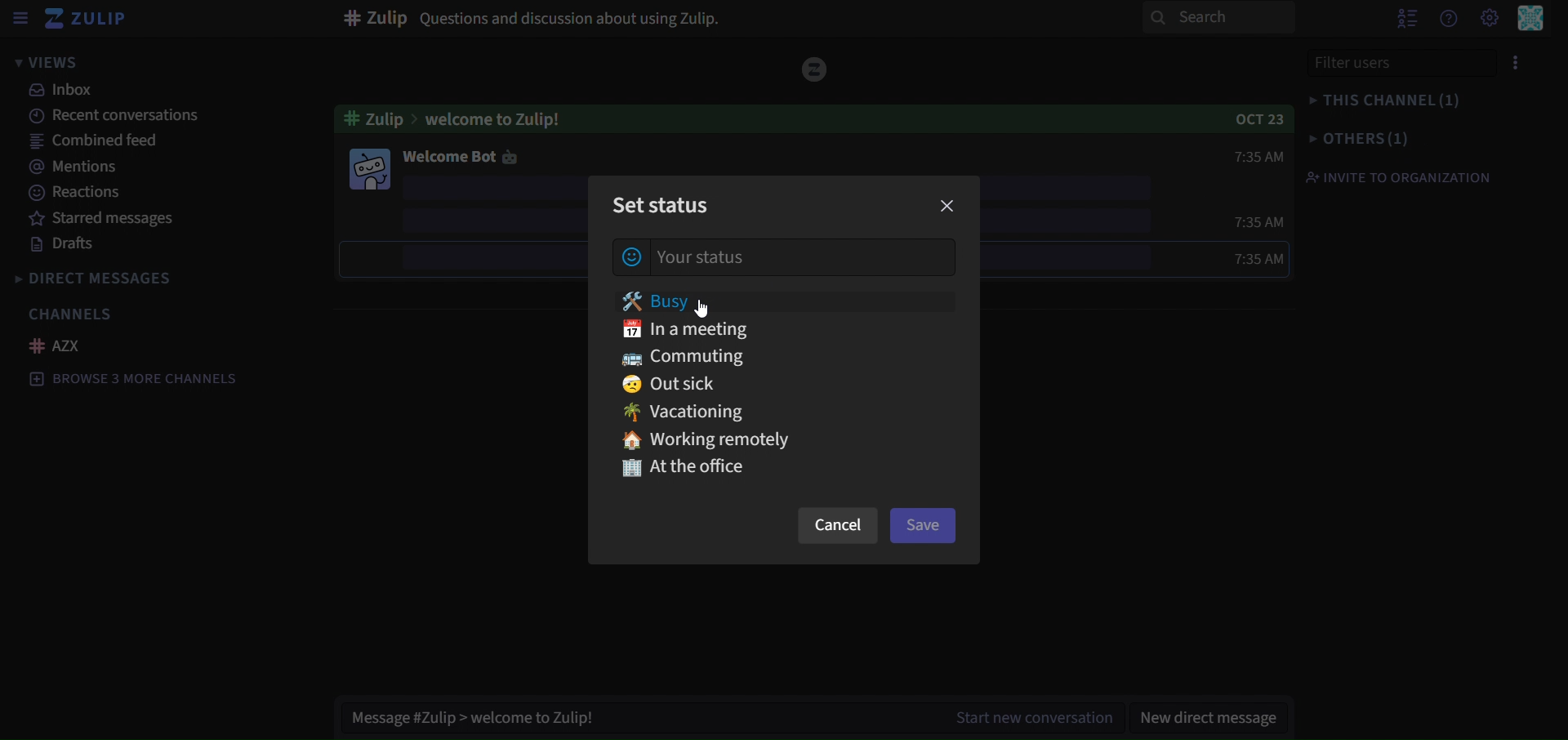  What do you see at coordinates (532, 19) in the screenshot?
I see `Question and discussion about using Zulip.` at bounding box center [532, 19].